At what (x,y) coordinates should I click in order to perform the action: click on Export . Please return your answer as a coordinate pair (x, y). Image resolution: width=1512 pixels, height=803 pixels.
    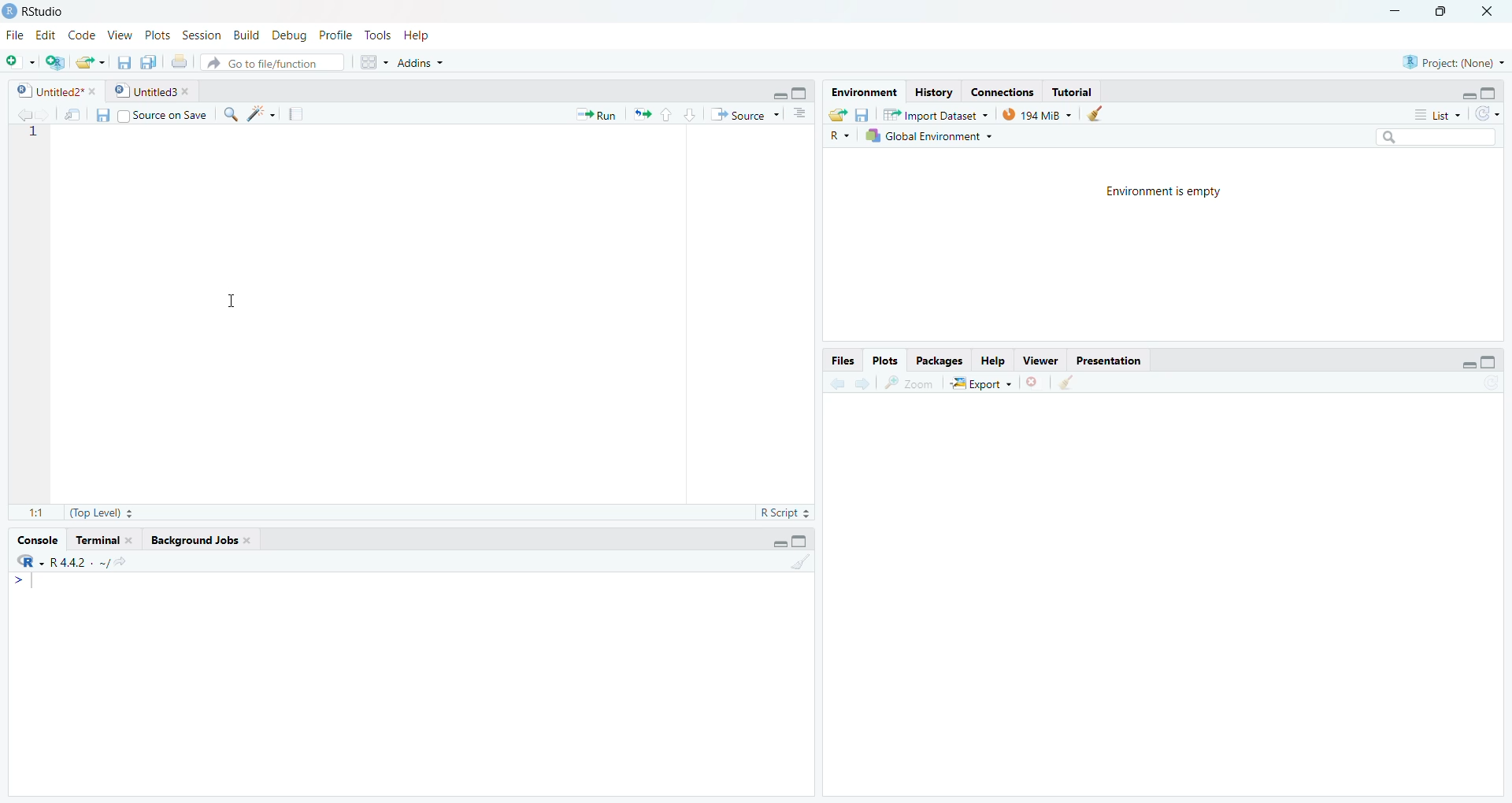
    Looking at the image, I should click on (981, 383).